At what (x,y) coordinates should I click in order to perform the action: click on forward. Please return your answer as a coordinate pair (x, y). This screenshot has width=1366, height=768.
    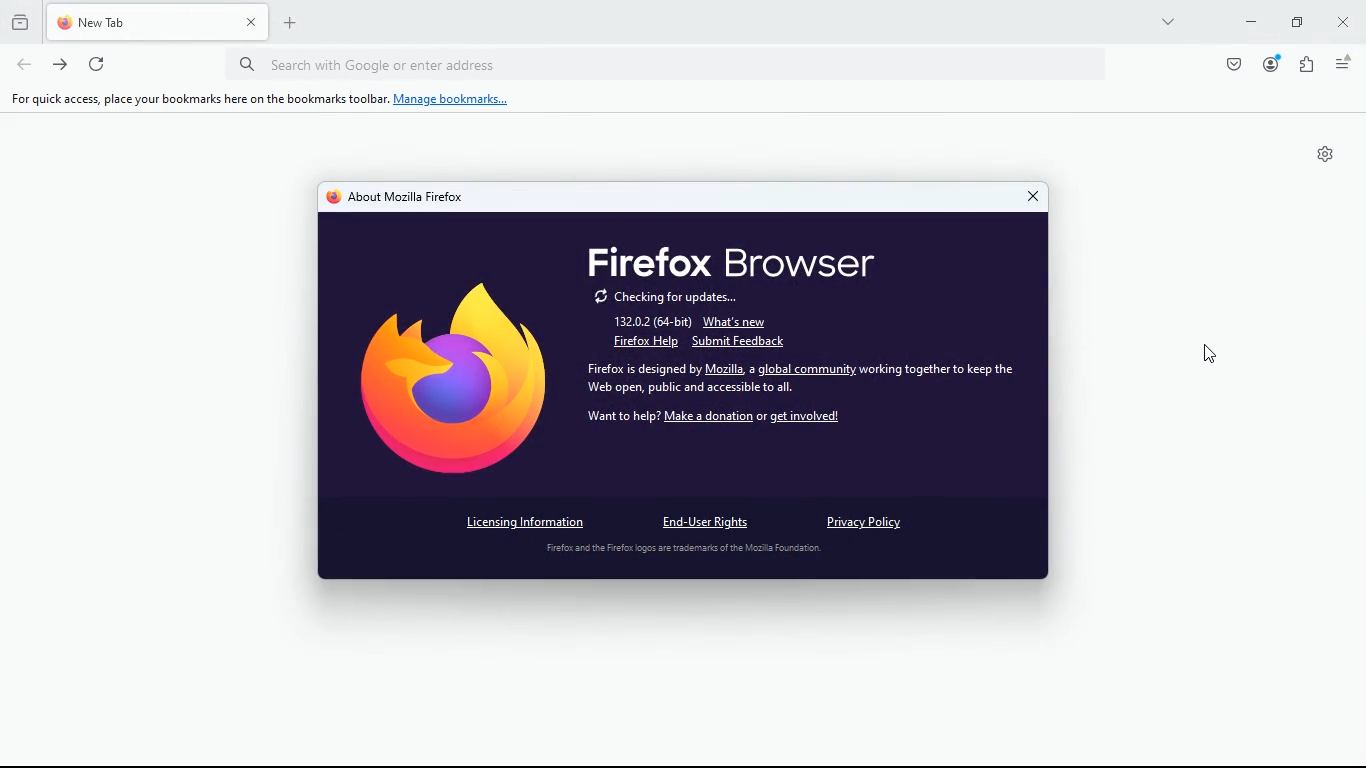
    Looking at the image, I should click on (61, 65).